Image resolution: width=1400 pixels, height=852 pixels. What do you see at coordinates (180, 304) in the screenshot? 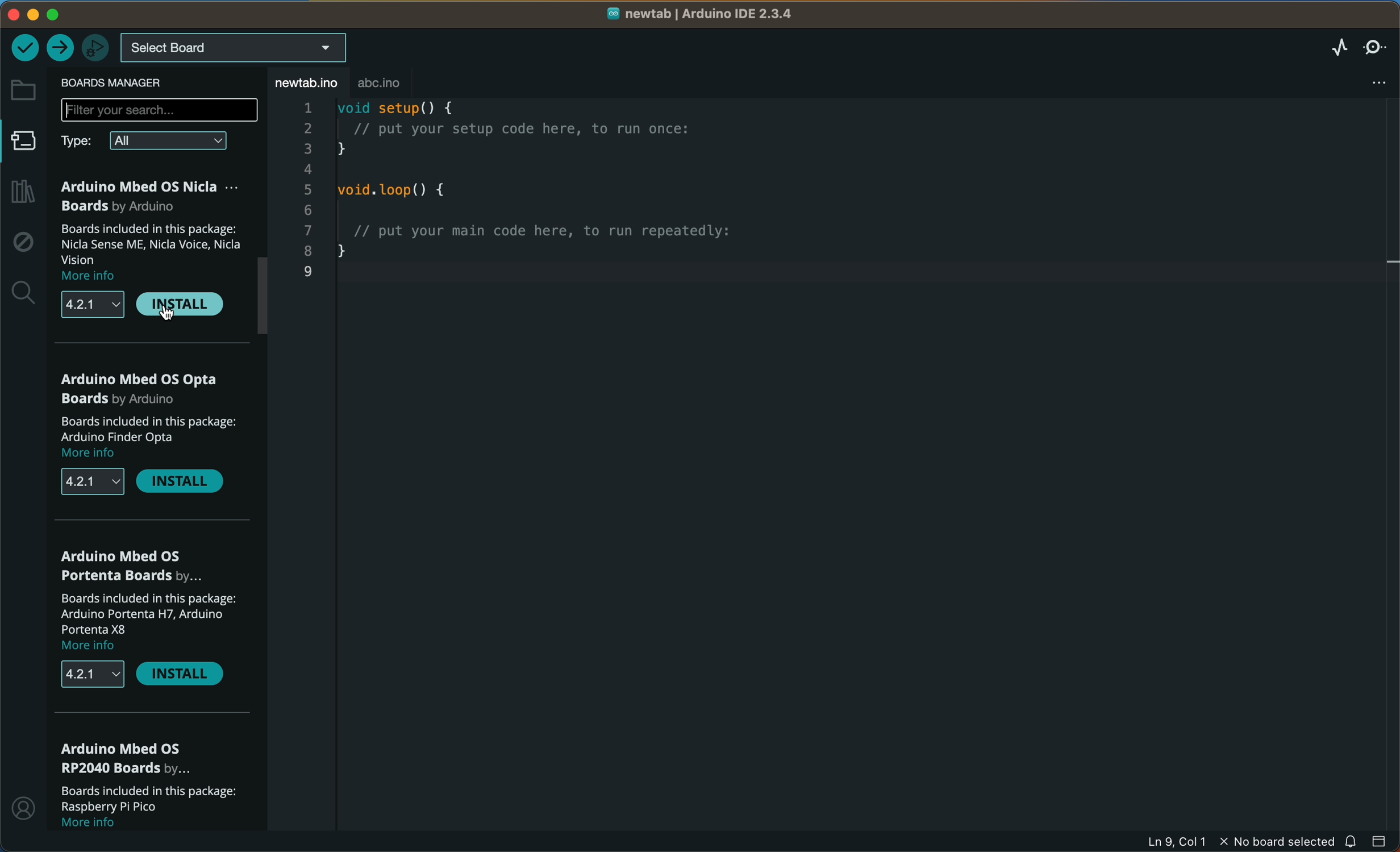
I see `install` at bounding box center [180, 304].